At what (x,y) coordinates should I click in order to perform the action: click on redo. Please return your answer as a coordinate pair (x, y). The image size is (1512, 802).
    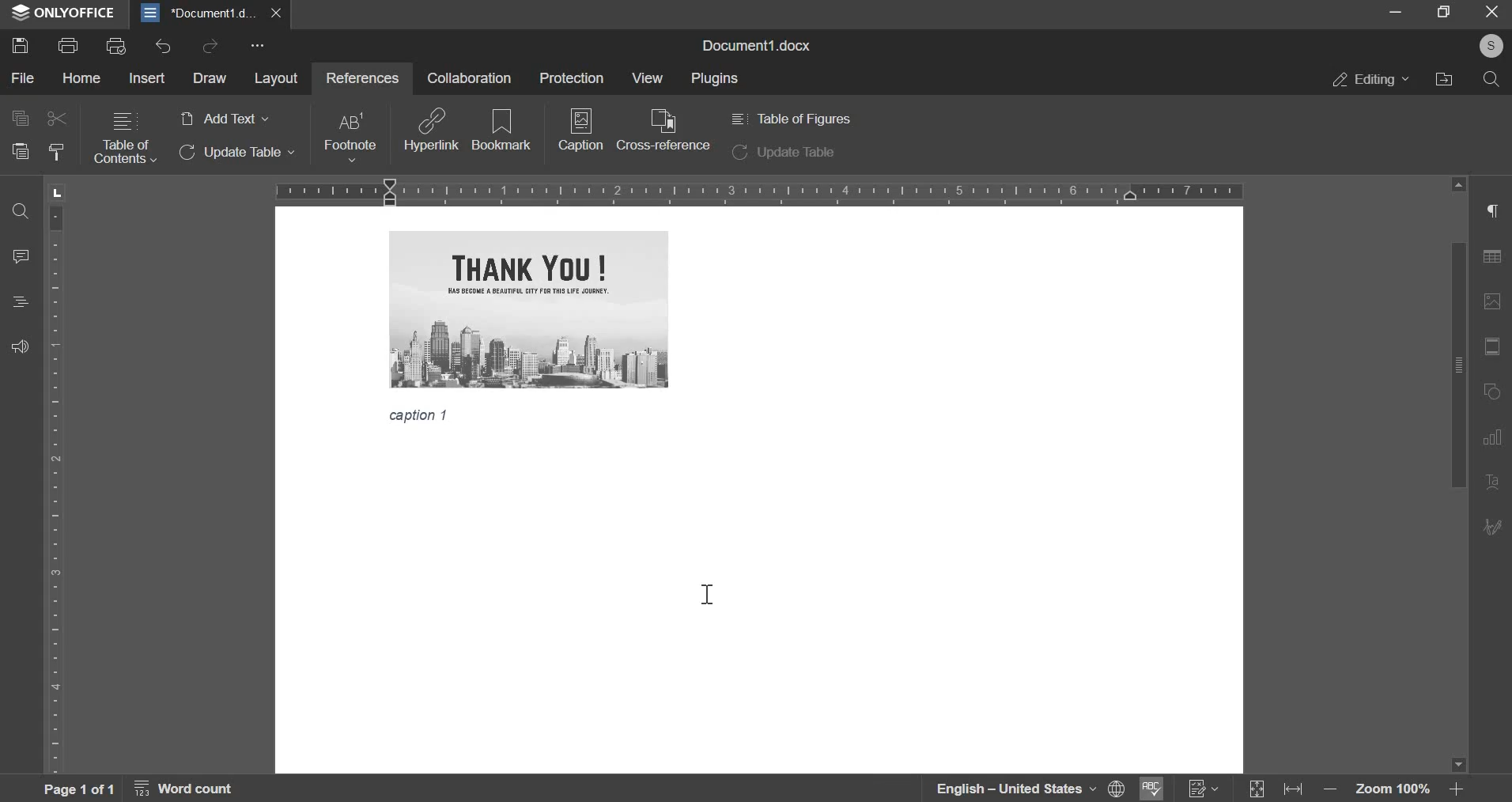
    Looking at the image, I should click on (210, 45).